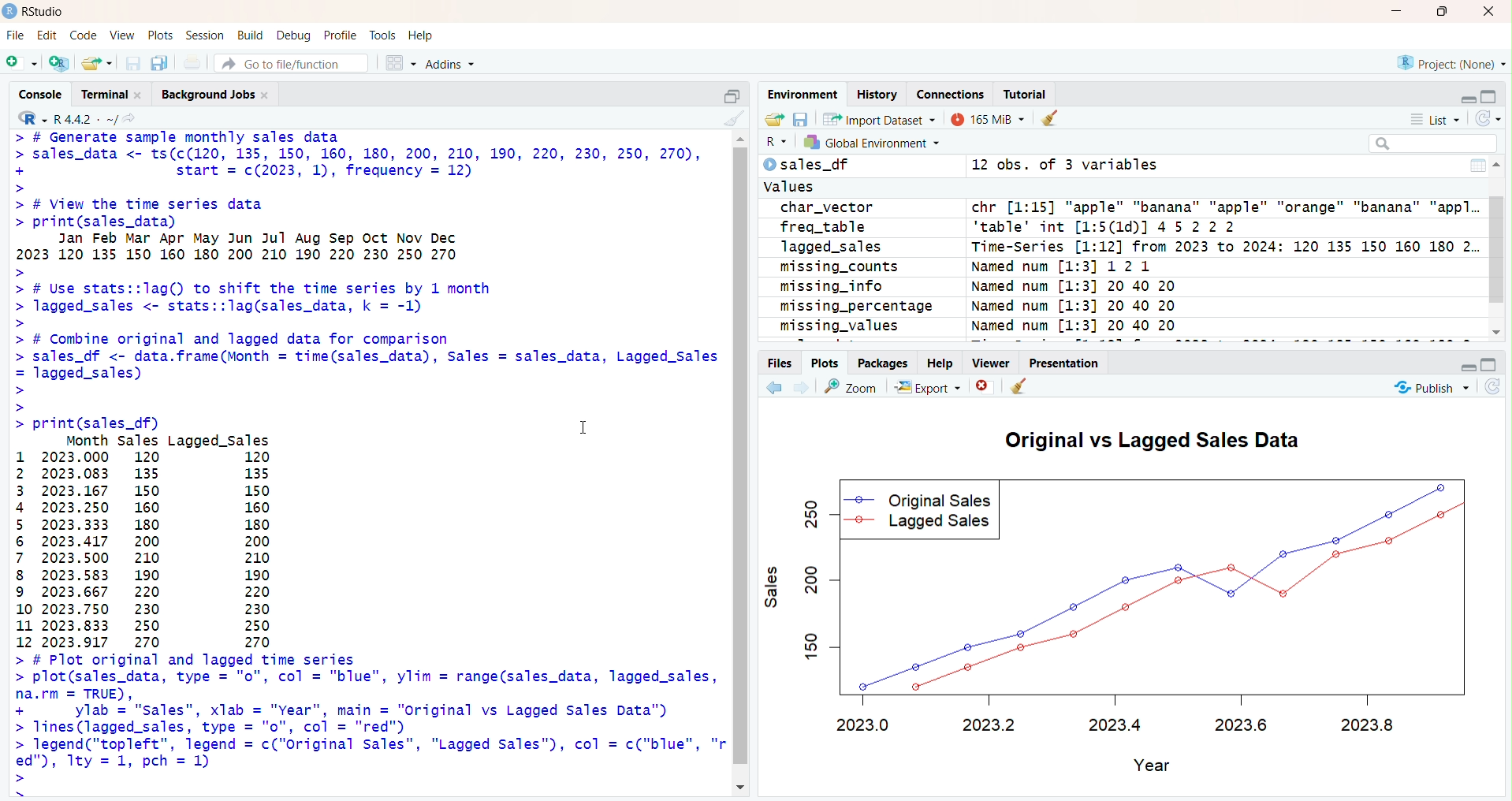  What do you see at coordinates (251, 35) in the screenshot?
I see `build` at bounding box center [251, 35].